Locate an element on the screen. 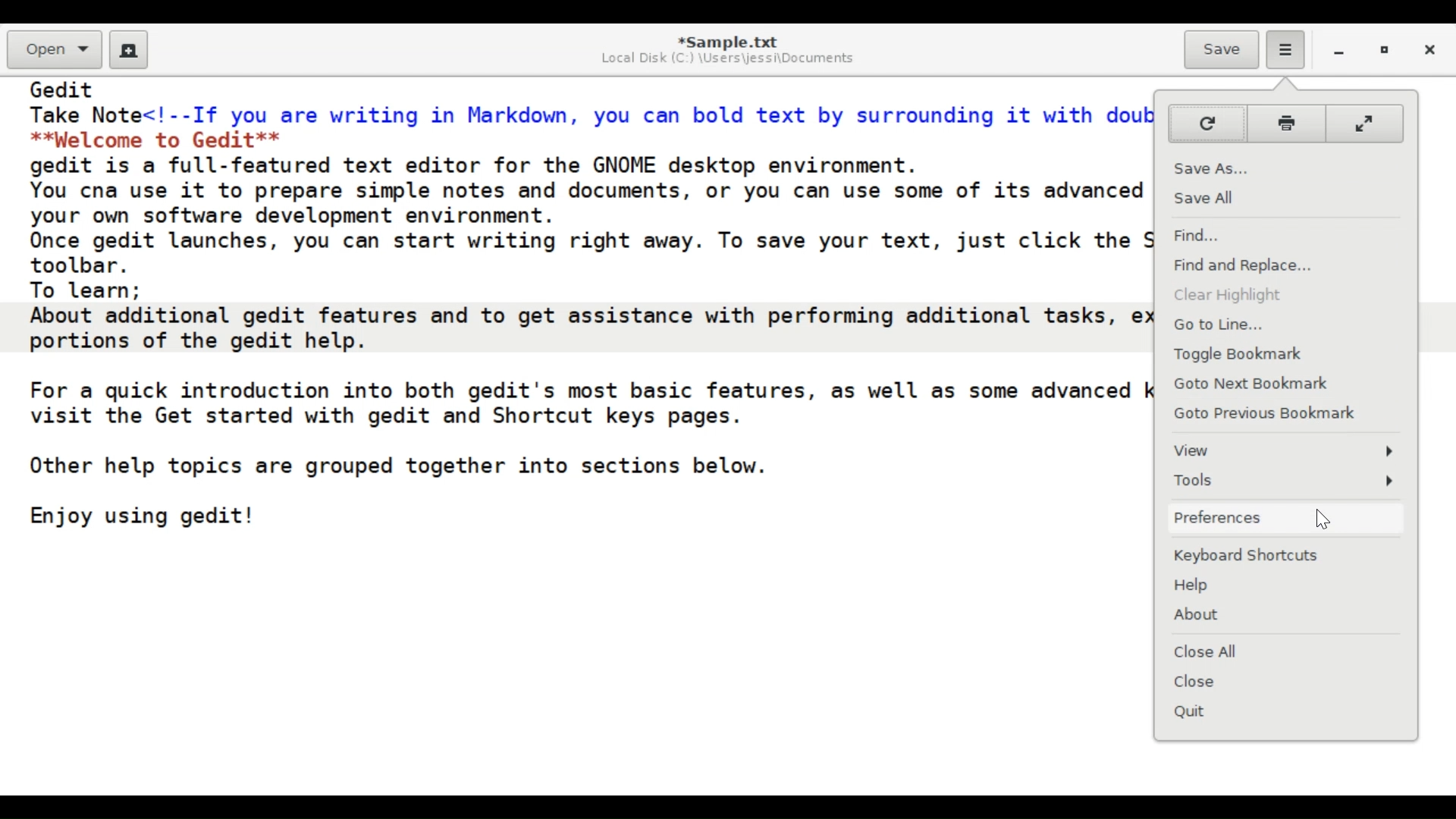 This screenshot has height=819, width=1456. Keyboard Shortcuts is located at coordinates (1284, 554).